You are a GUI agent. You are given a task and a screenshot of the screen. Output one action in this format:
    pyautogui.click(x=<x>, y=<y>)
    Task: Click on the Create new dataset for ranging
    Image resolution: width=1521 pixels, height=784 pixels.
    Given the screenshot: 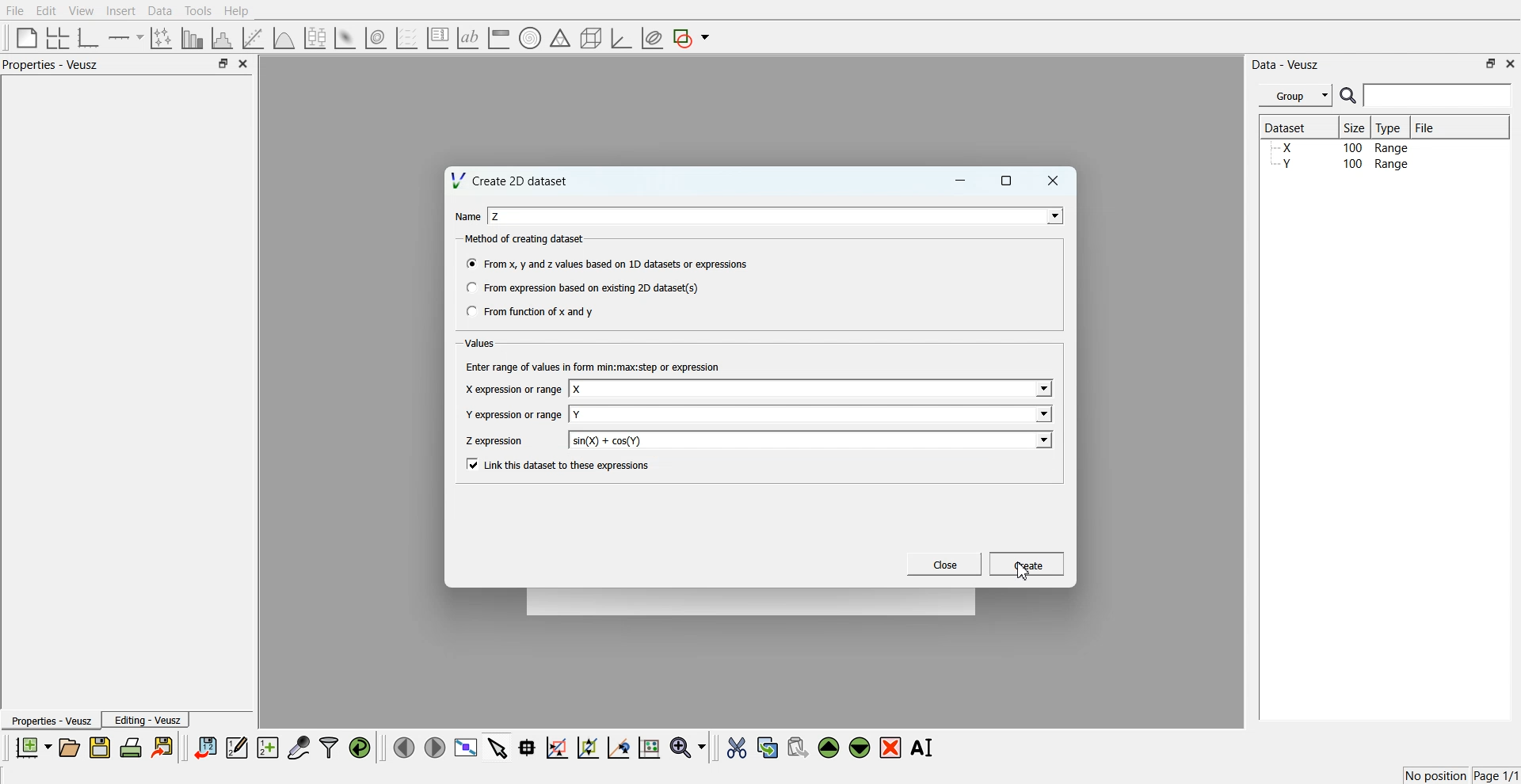 What is the action you would take?
    pyautogui.click(x=267, y=748)
    